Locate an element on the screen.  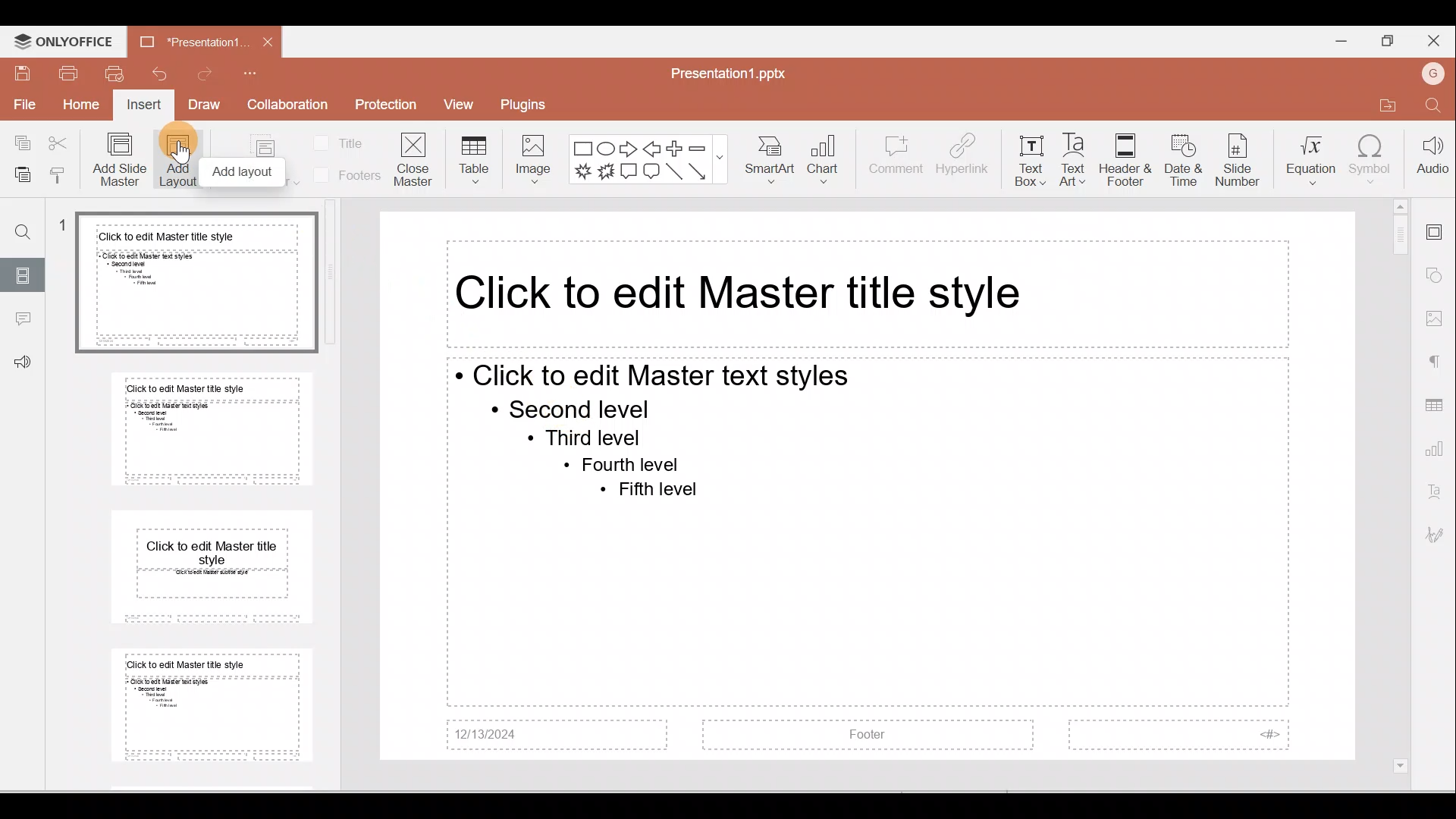
Master Presentation slide is located at coordinates (858, 489).